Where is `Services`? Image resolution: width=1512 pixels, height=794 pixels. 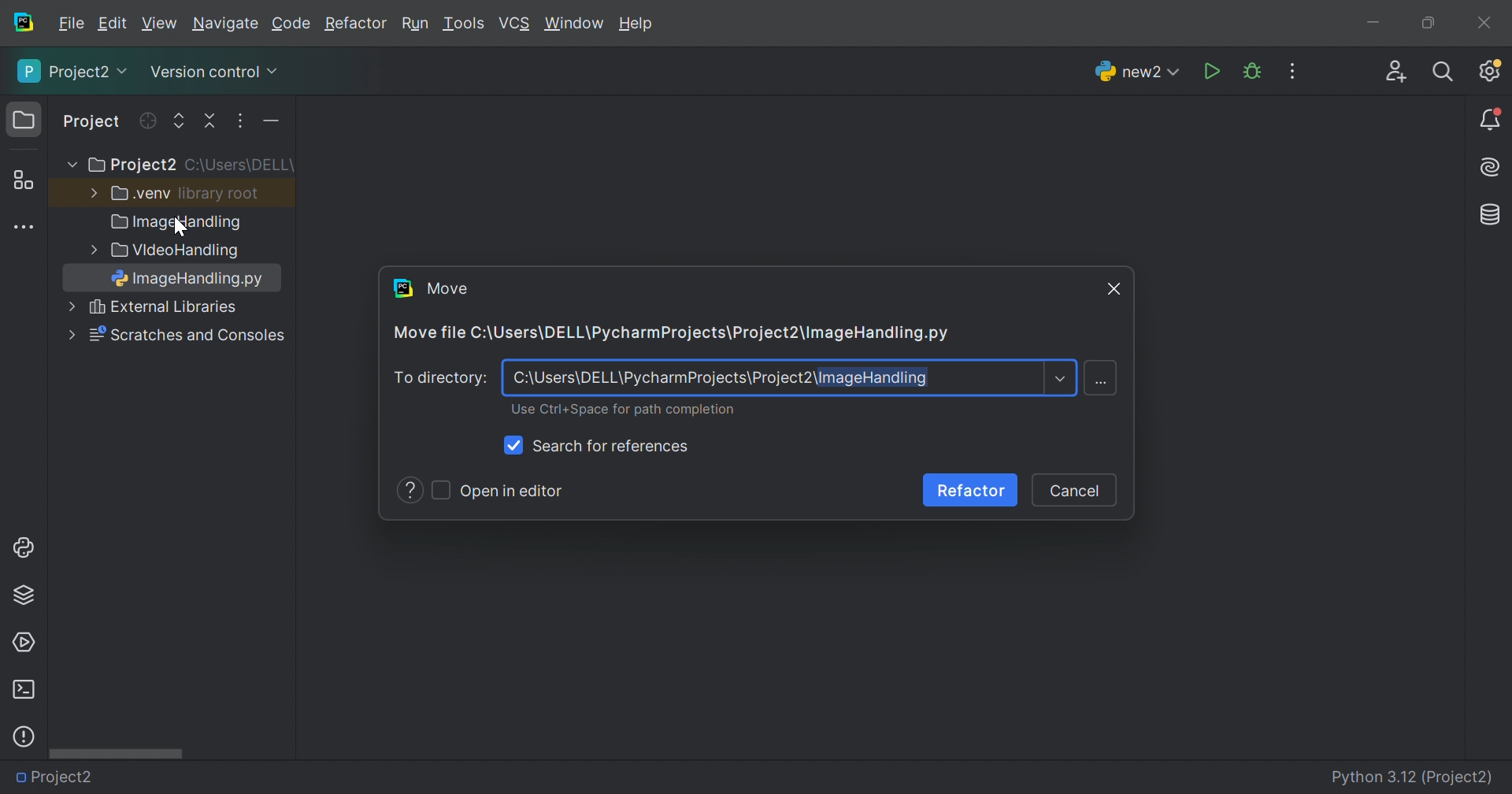
Services is located at coordinates (23, 643).